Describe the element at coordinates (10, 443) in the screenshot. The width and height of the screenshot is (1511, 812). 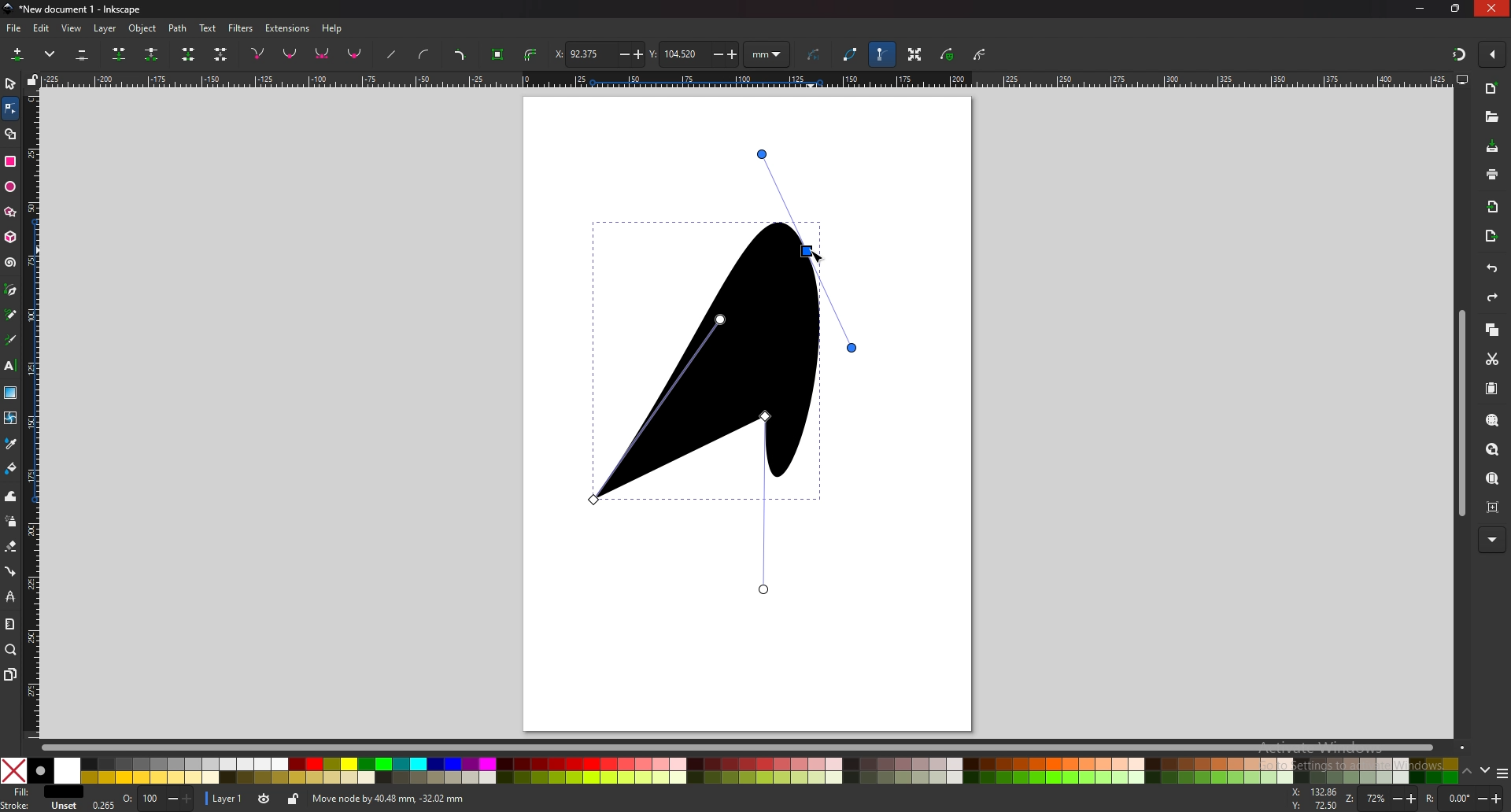
I see `dropper` at that location.